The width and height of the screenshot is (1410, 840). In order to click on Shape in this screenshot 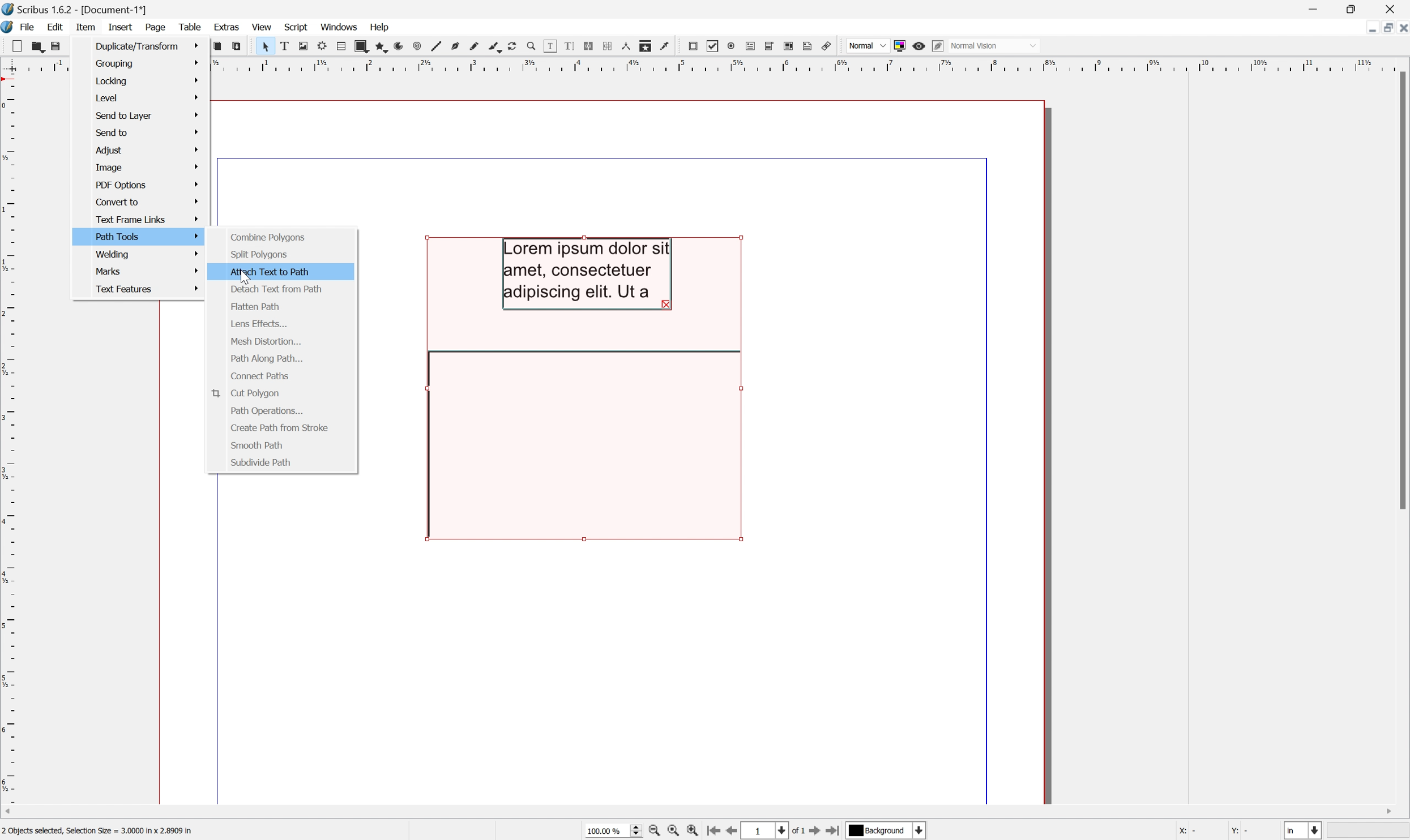, I will do `click(361, 44)`.